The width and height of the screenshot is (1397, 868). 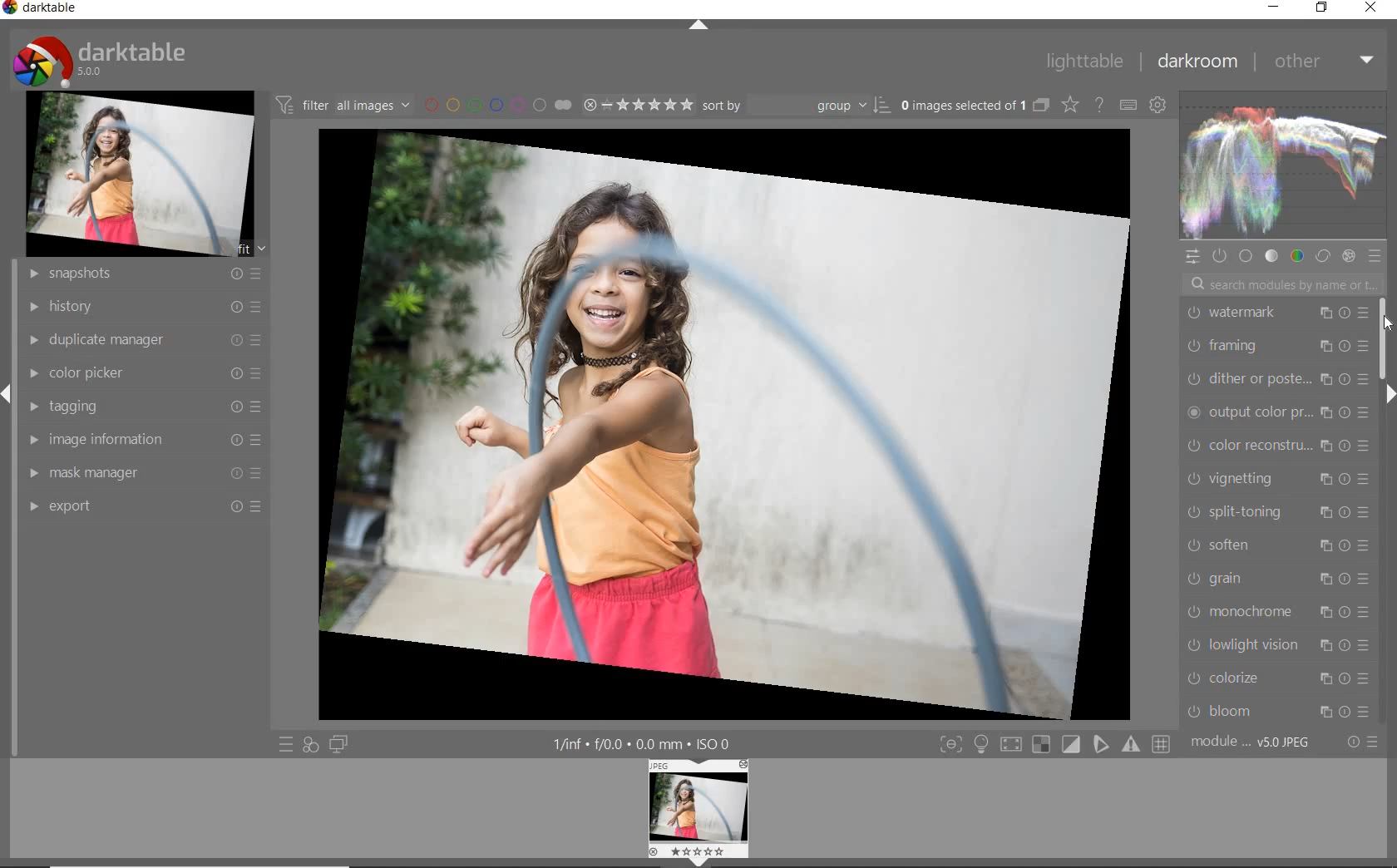 What do you see at coordinates (1251, 743) in the screenshot?
I see `module order` at bounding box center [1251, 743].